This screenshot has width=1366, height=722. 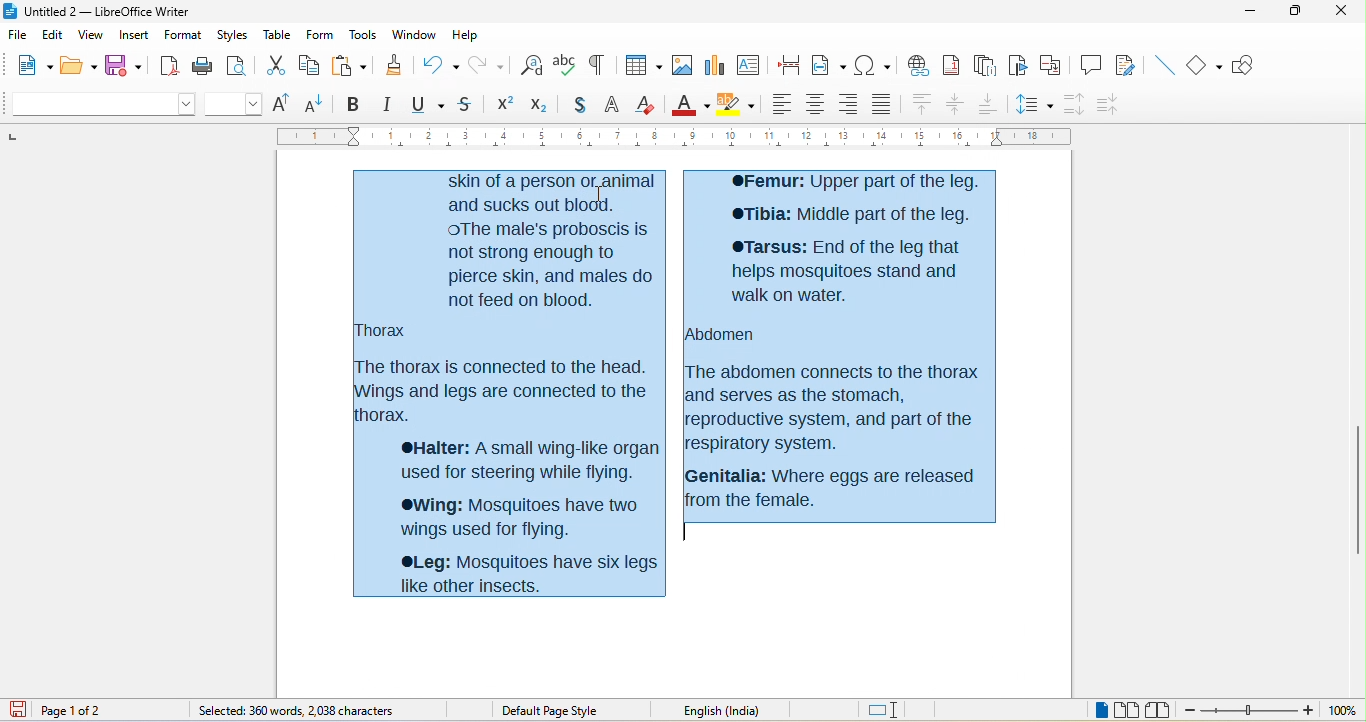 What do you see at coordinates (26, 65) in the screenshot?
I see `new` at bounding box center [26, 65].